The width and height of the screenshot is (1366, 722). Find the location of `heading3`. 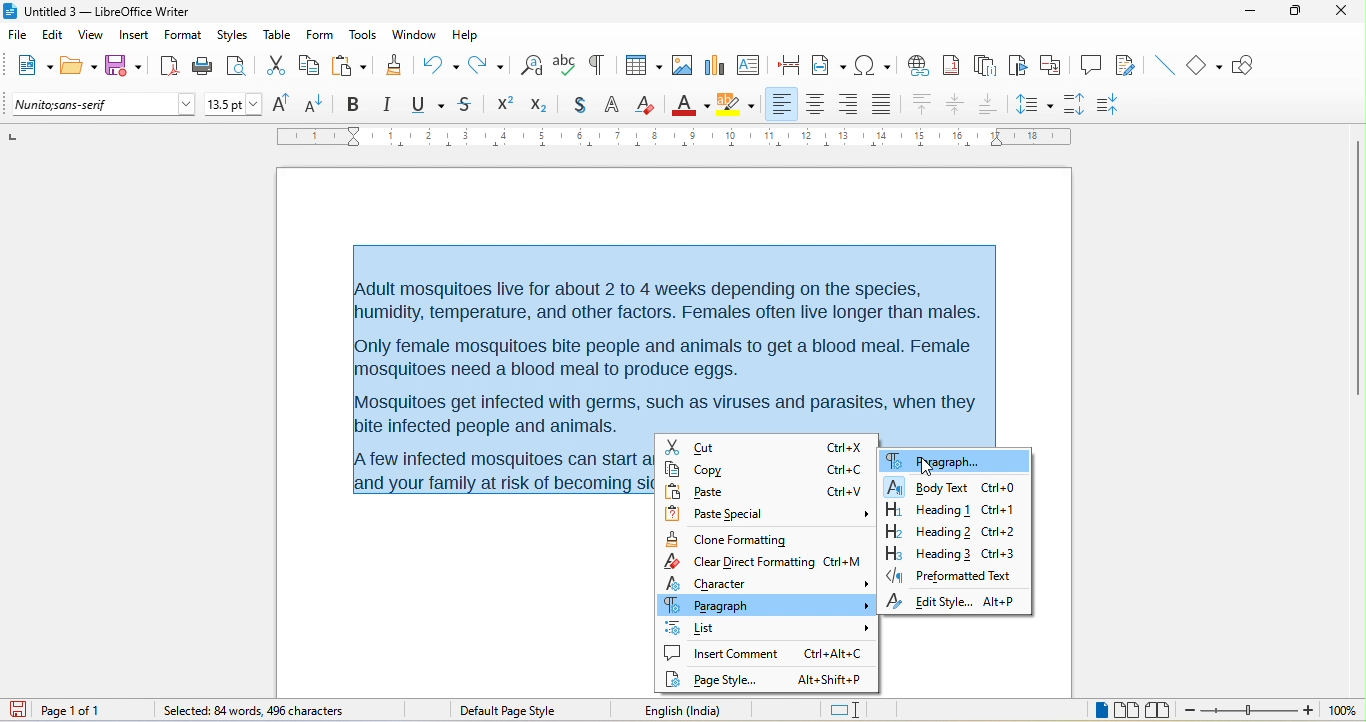

heading3 is located at coordinates (928, 553).